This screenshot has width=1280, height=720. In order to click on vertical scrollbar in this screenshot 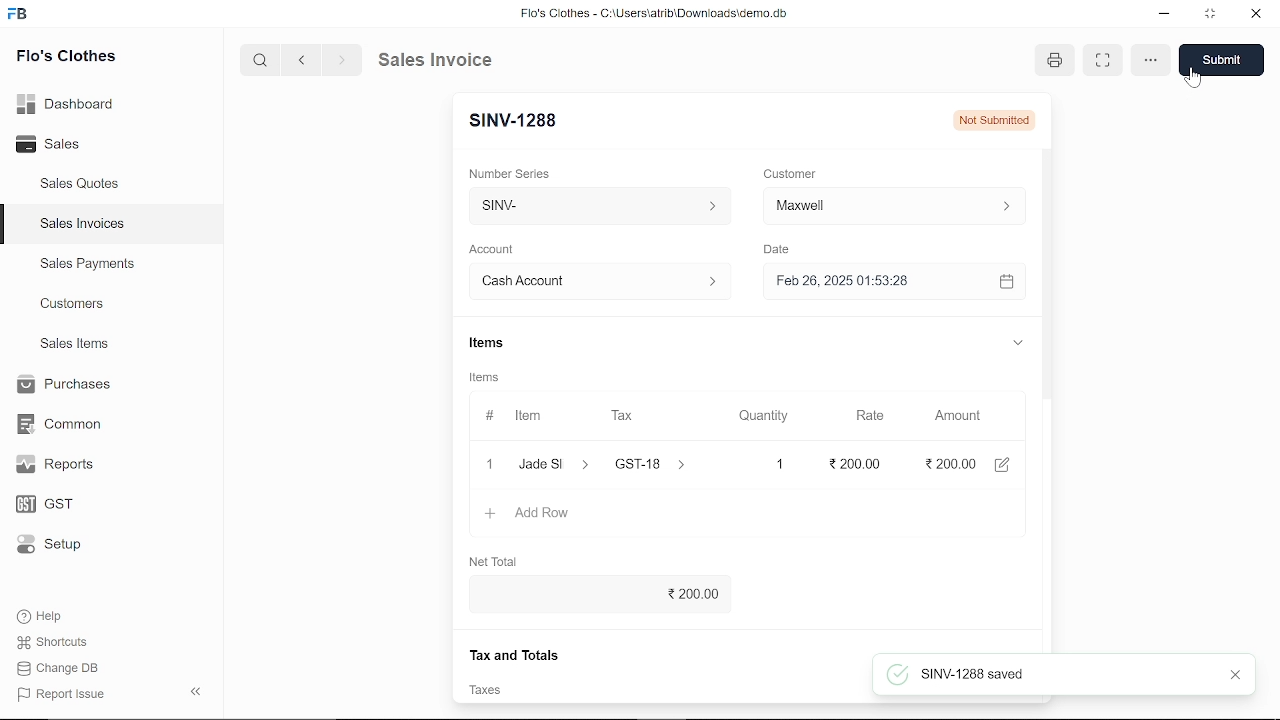, I will do `click(1048, 329)`.